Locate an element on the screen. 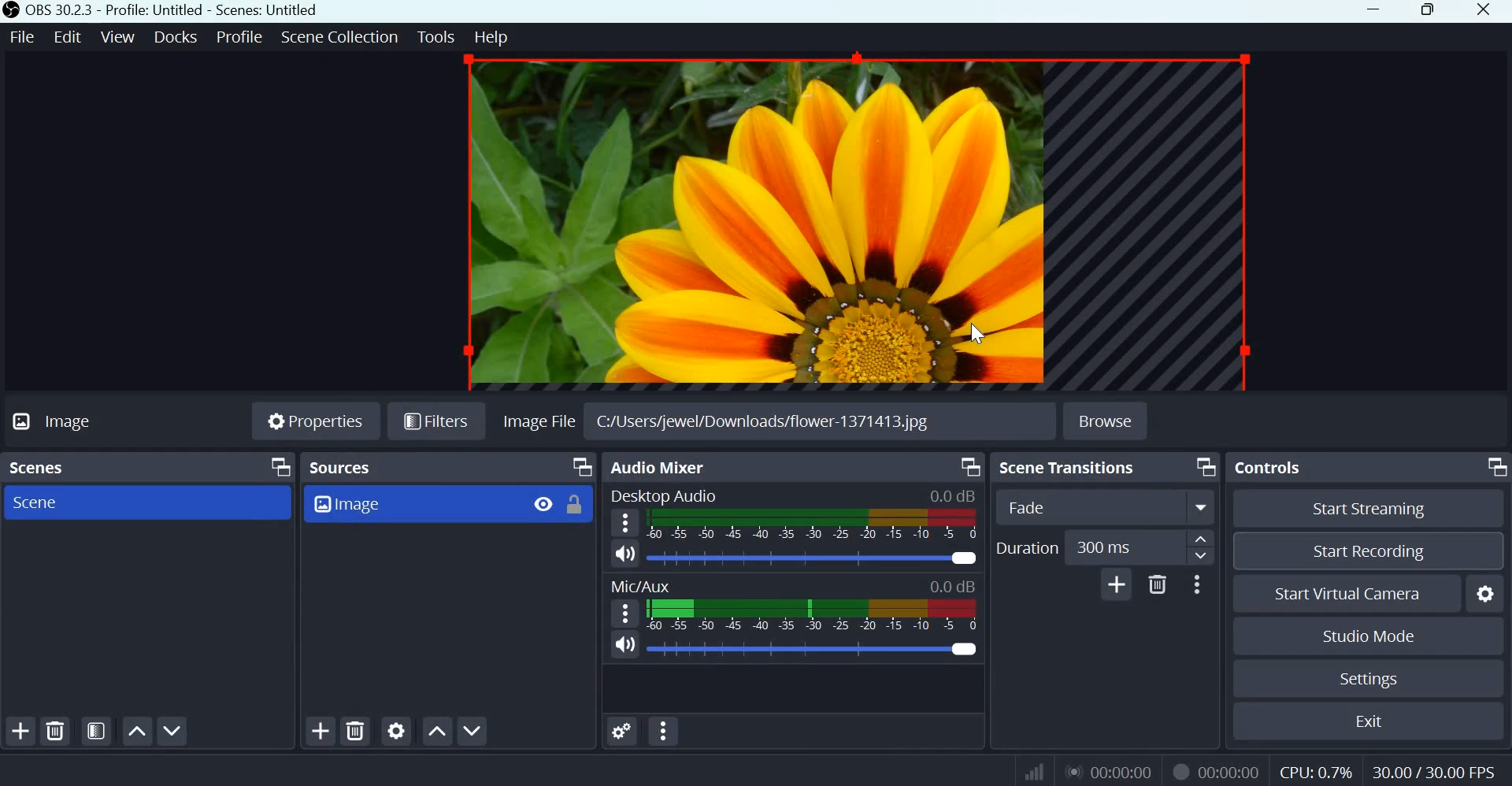 Image resolution: width=1512 pixels, height=786 pixels. Microphone is located at coordinates (625, 645).